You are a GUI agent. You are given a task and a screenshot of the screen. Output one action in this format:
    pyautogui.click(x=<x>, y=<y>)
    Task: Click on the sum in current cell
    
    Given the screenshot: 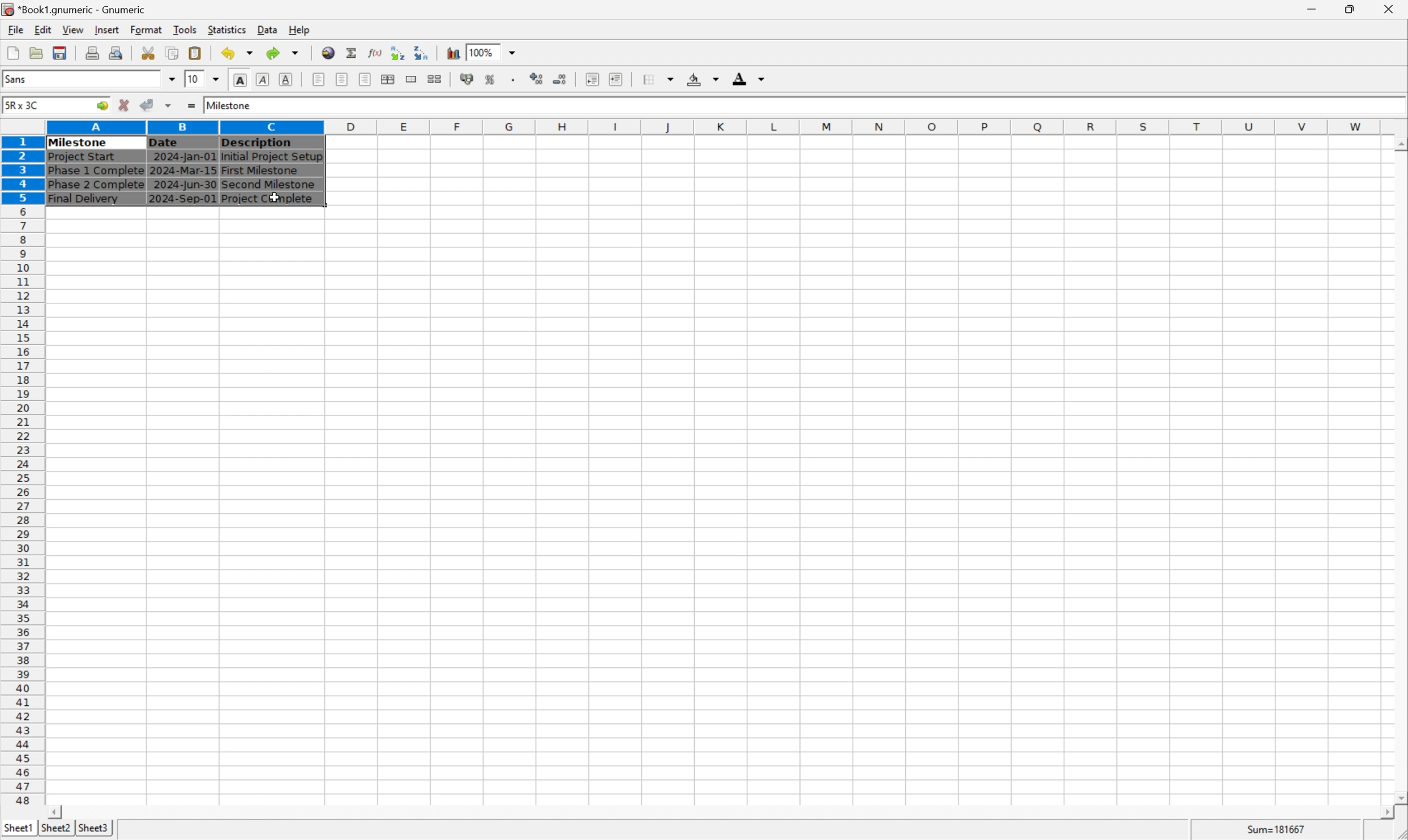 What is the action you would take?
    pyautogui.click(x=353, y=53)
    